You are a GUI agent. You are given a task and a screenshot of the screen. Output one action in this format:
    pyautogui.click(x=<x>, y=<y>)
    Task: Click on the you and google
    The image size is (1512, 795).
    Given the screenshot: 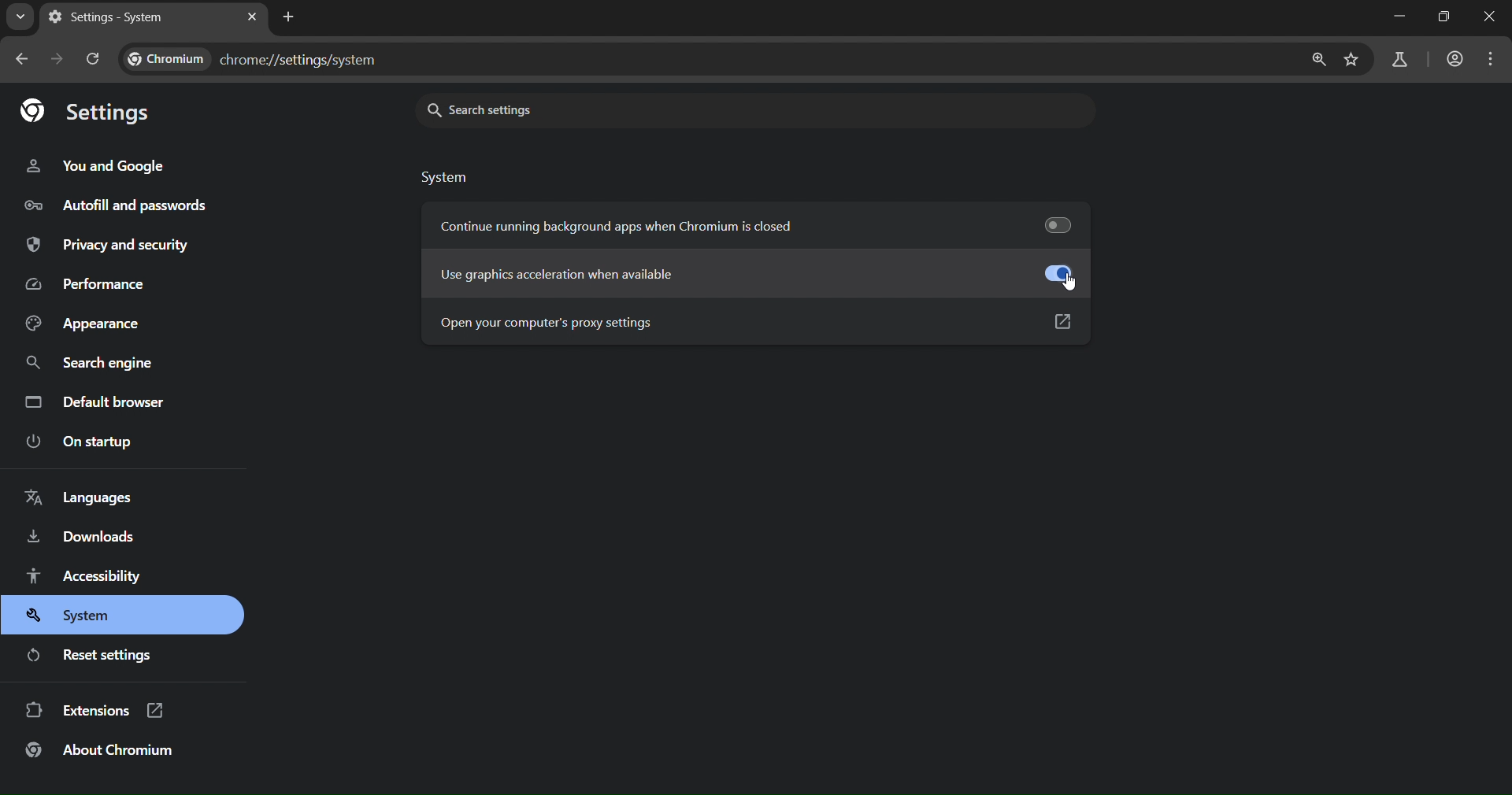 What is the action you would take?
    pyautogui.click(x=94, y=166)
    